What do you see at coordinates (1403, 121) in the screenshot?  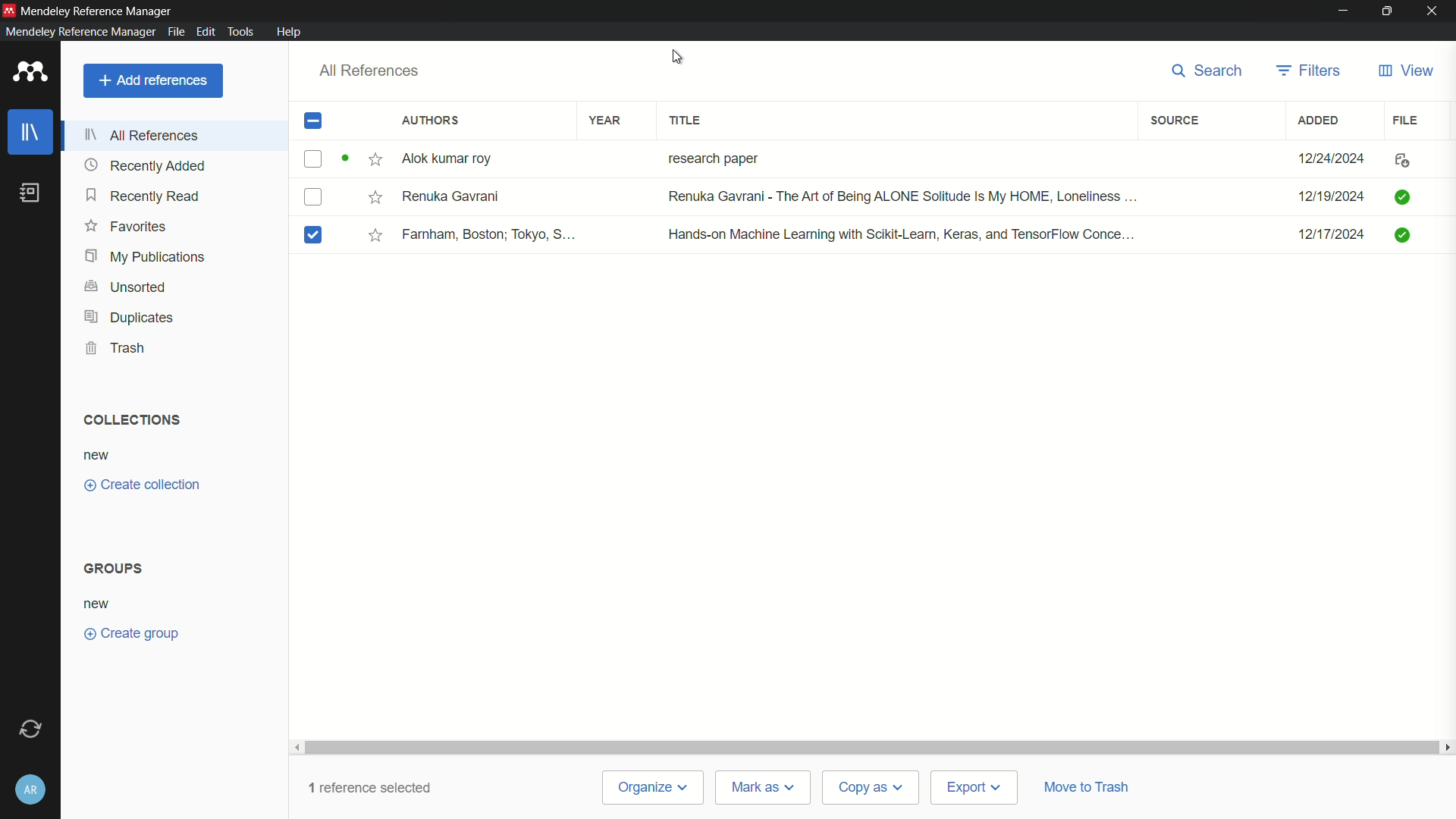 I see `file` at bounding box center [1403, 121].